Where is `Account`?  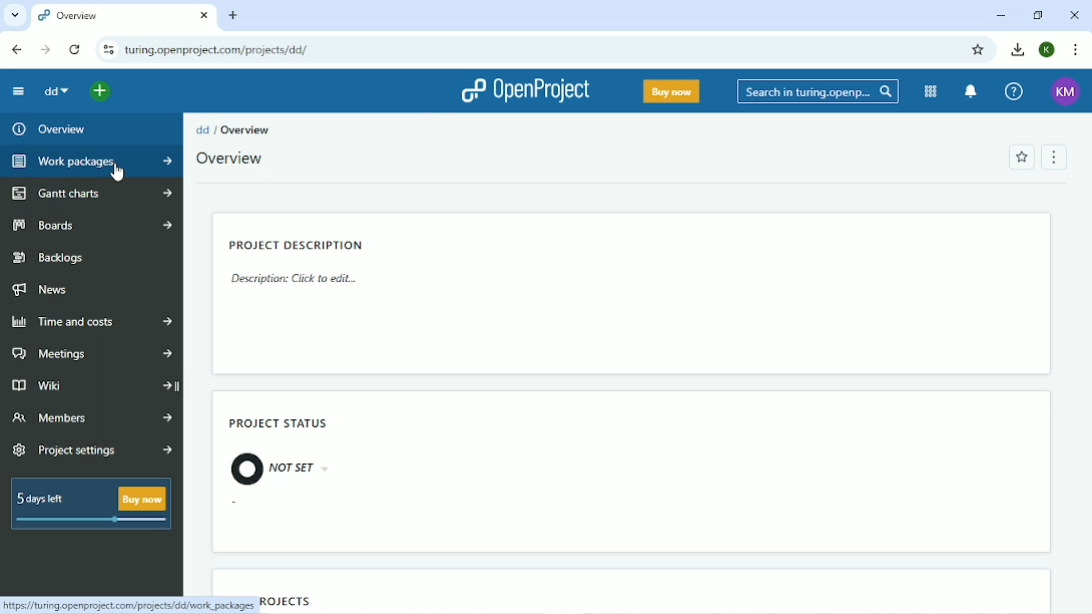 Account is located at coordinates (1048, 49).